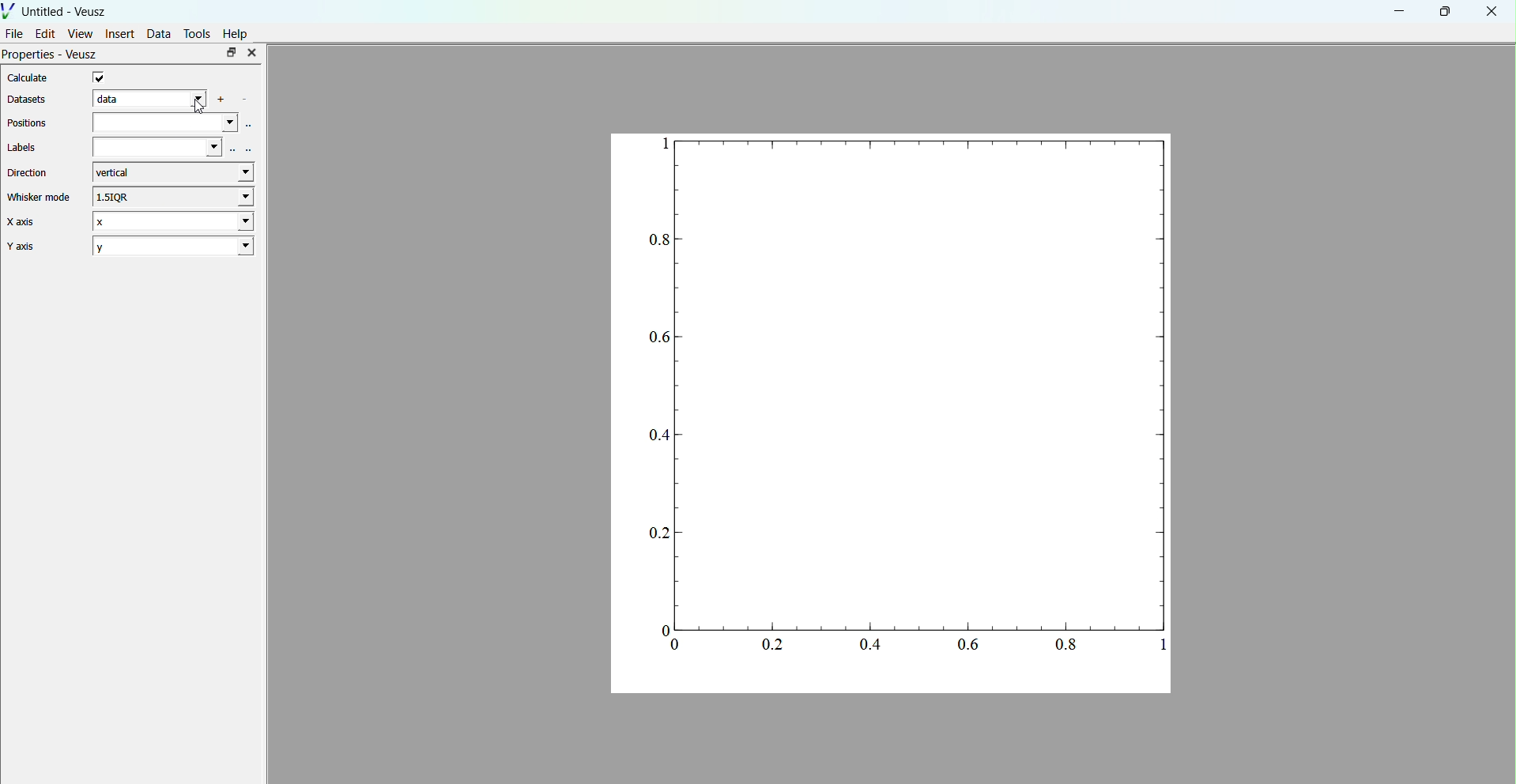 This screenshot has height=784, width=1516. What do you see at coordinates (172, 196) in the screenshot?
I see `1.5IQR` at bounding box center [172, 196].